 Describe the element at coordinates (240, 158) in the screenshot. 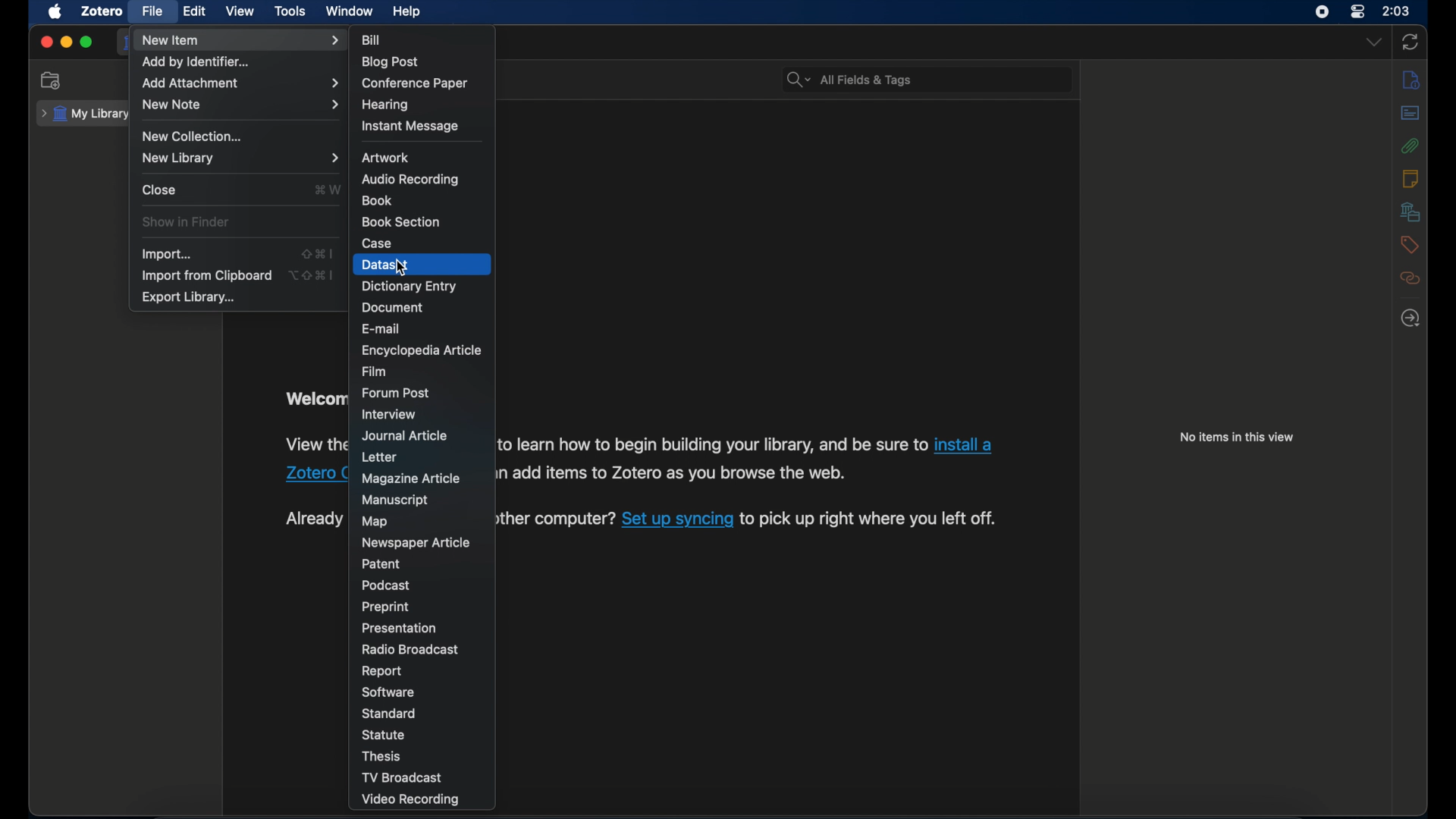

I see `new library` at that location.